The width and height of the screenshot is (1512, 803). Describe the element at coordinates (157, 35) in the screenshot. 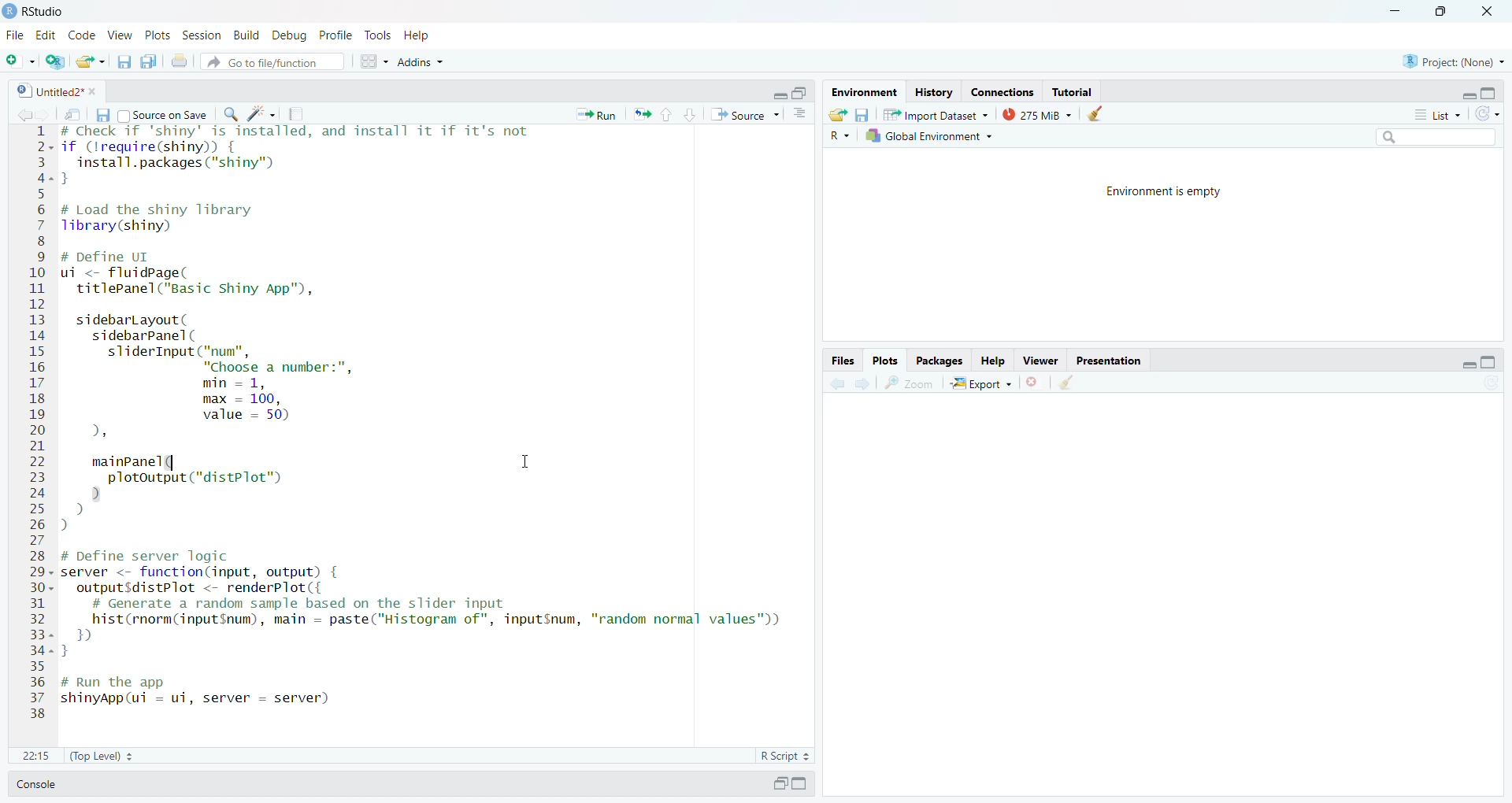

I see `Plots` at that location.